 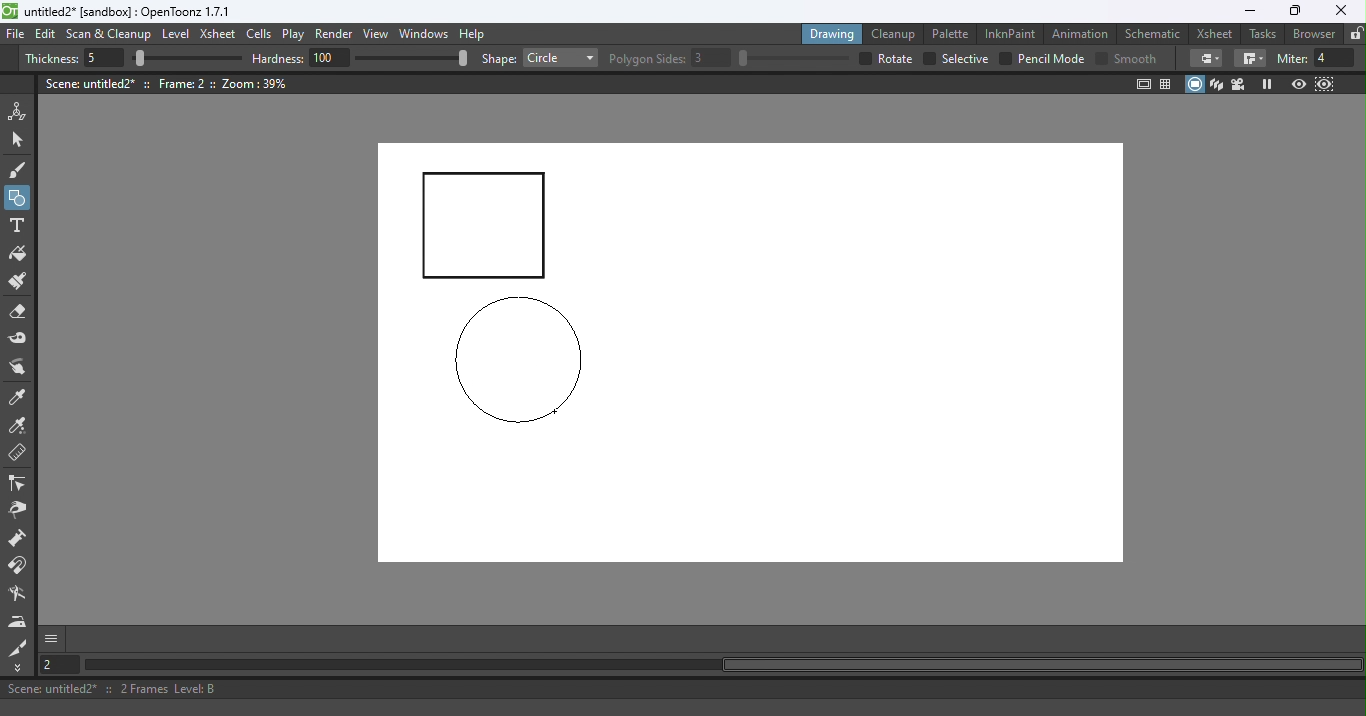 I want to click on Windows, so click(x=425, y=35).